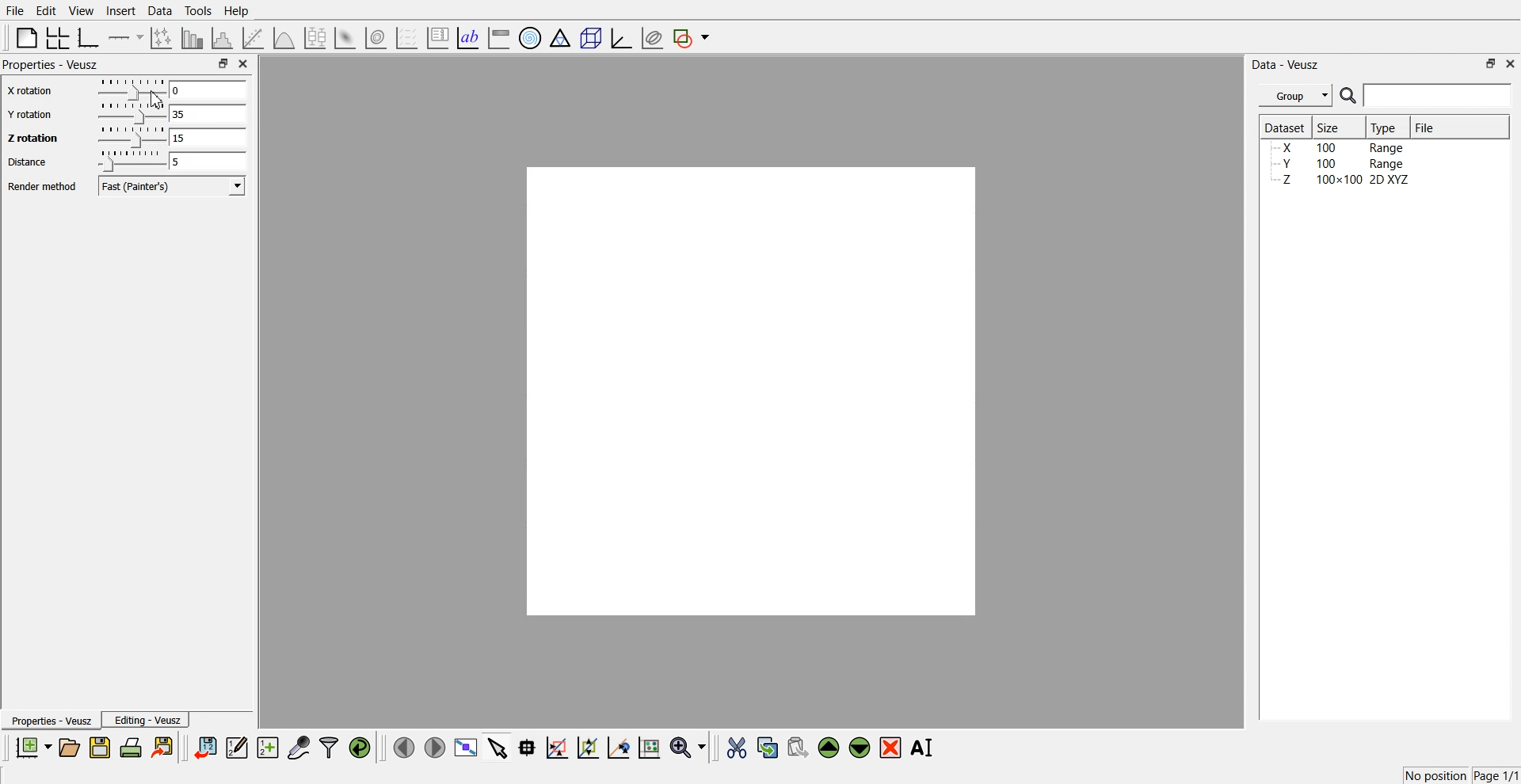 This screenshot has height=784, width=1521. What do you see at coordinates (890, 748) in the screenshot?
I see `Remove the selected widget` at bounding box center [890, 748].